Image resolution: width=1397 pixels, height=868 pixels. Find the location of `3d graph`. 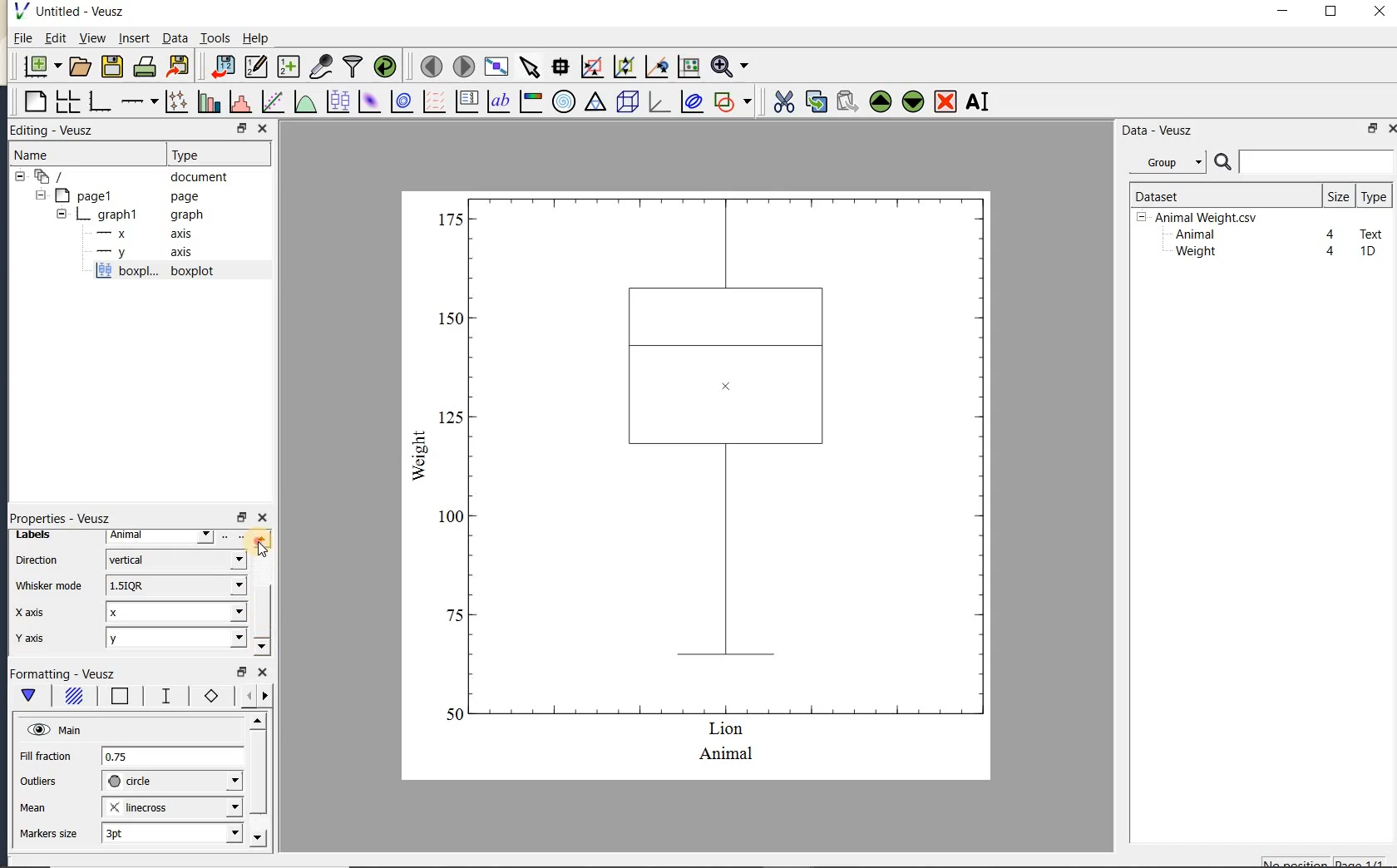

3d graph is located at coordinates (657, 101).